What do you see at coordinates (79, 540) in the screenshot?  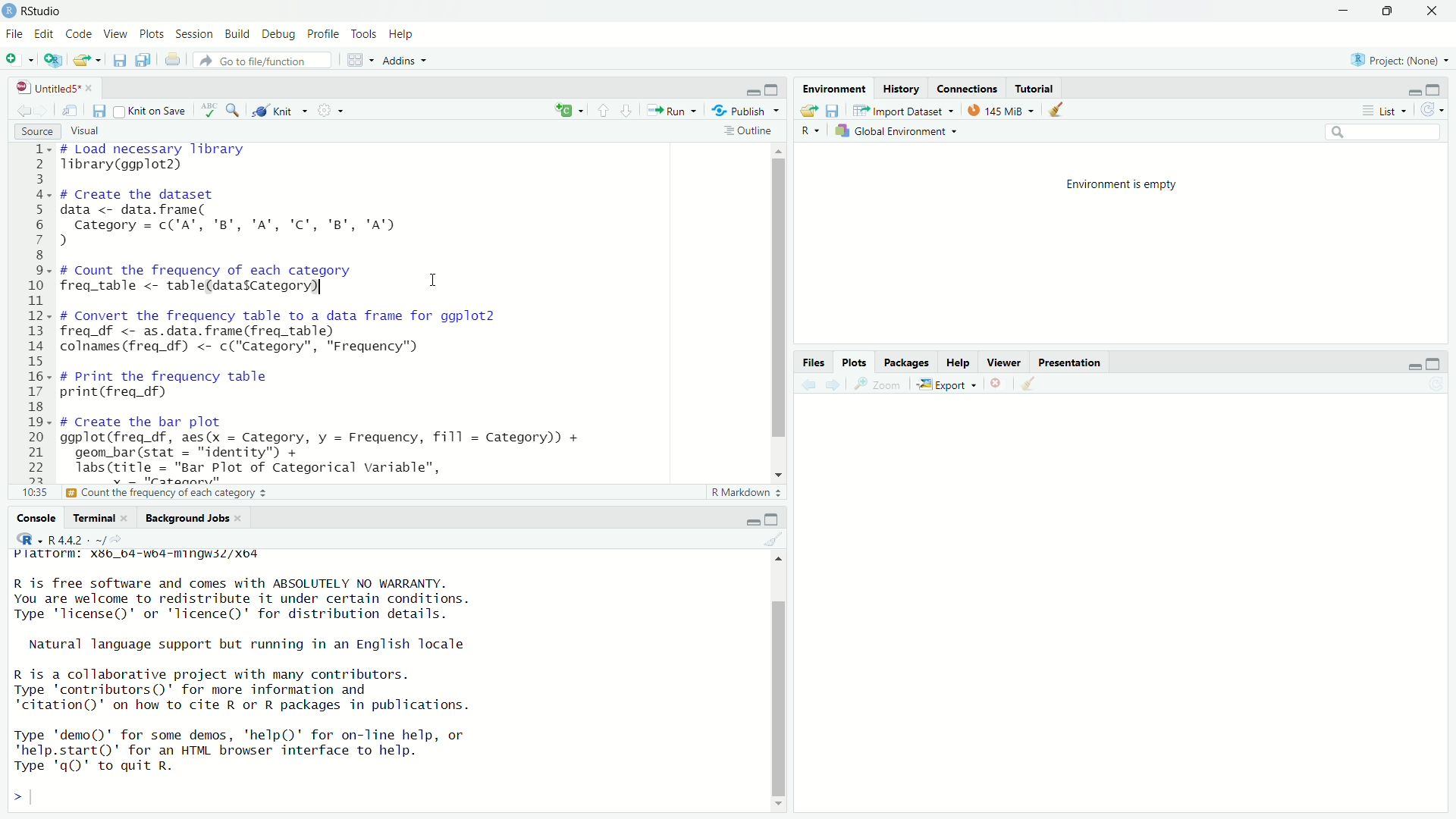 I see `R 4.4.2 . ~/` at bounding box center [79, 540].